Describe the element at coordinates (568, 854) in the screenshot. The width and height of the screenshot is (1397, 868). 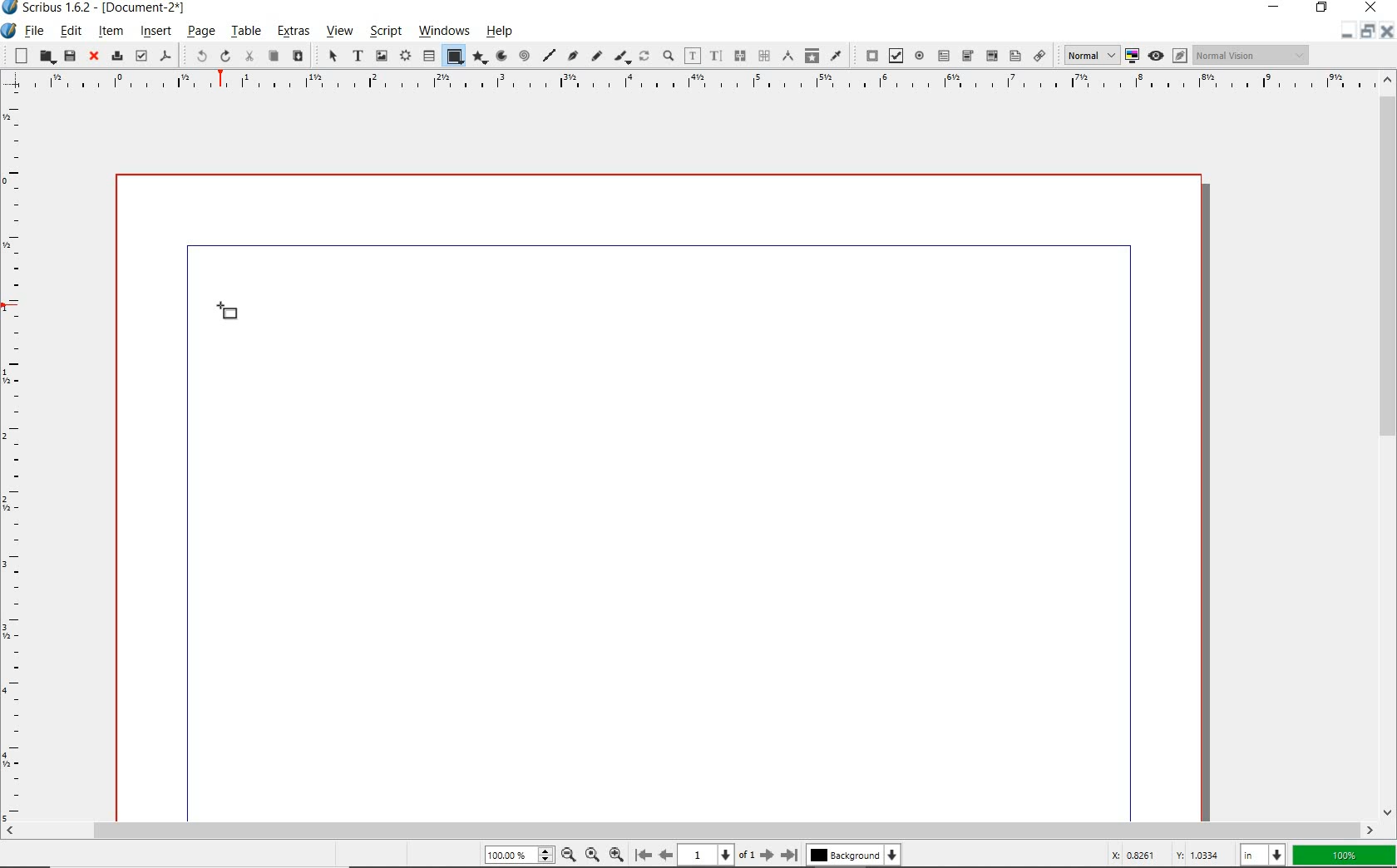
I see `zoom in` at that location.